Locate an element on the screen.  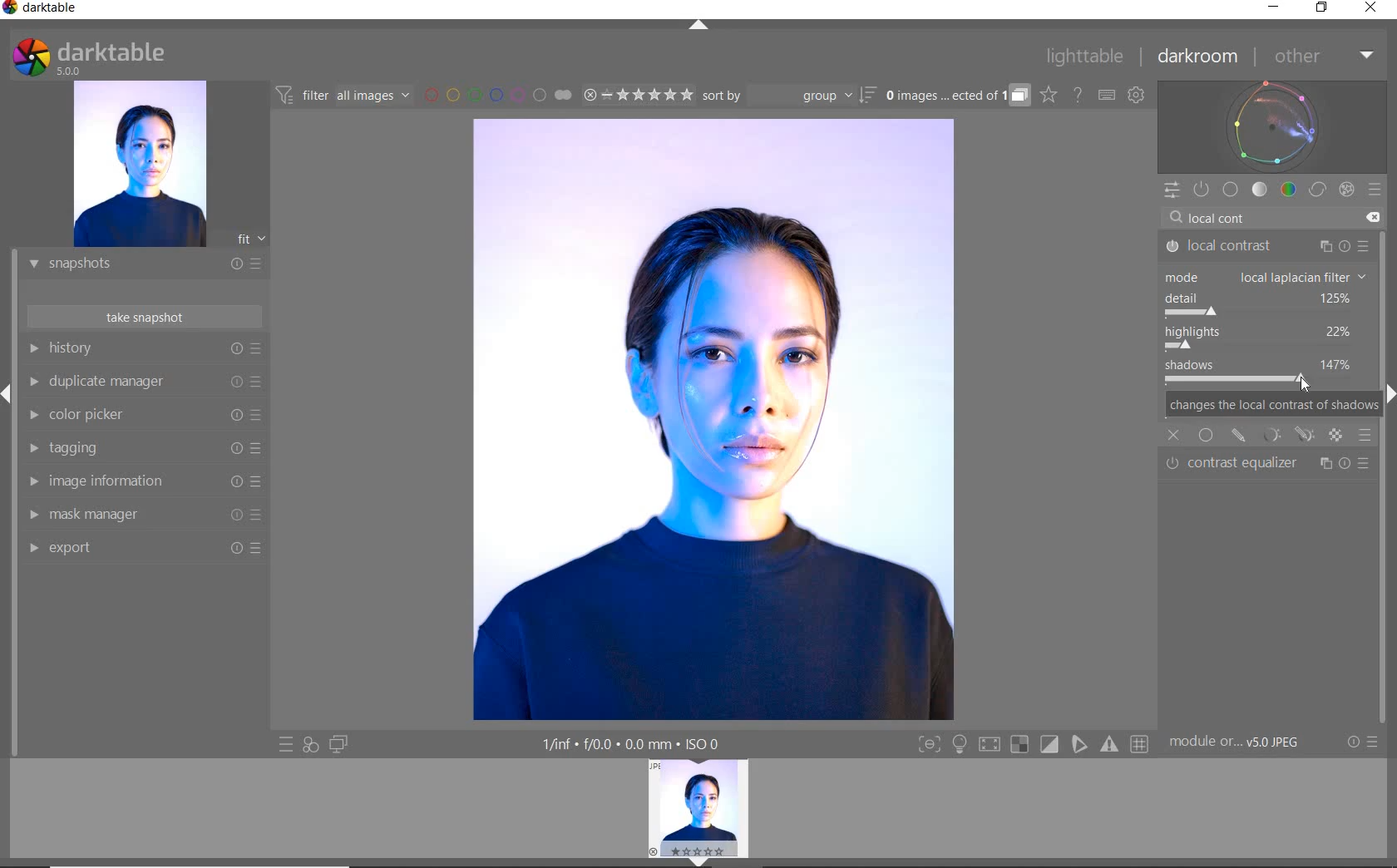
SET KEYBOARD SHORTCUTS is located at coordinates (1107, 95).